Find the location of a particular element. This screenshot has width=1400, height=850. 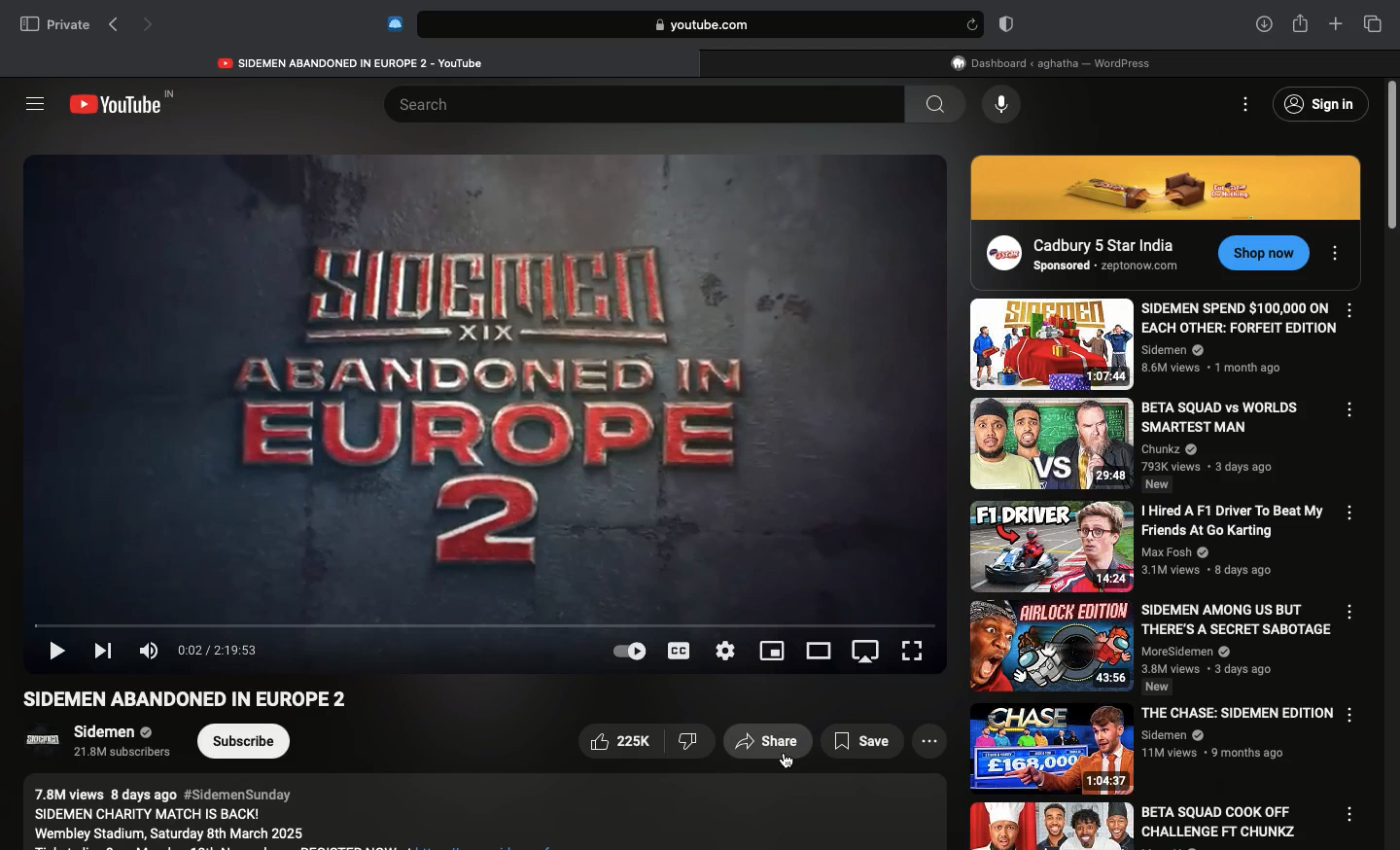

Voice dictation is located at coordinates (1002, 105).